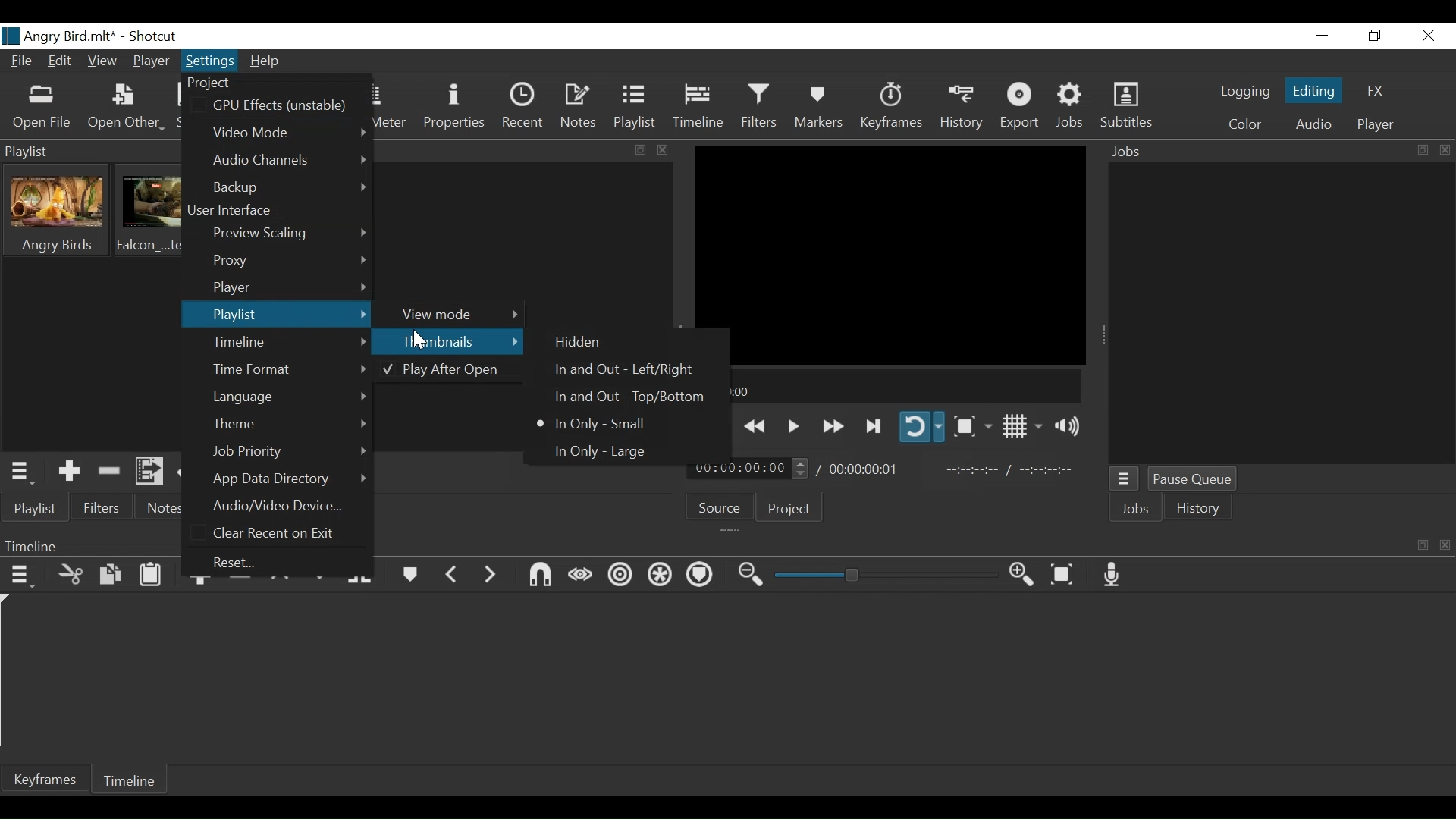  Describe the element at coordinates (1429, 36) in the screenshot. I see `Close` at that location.